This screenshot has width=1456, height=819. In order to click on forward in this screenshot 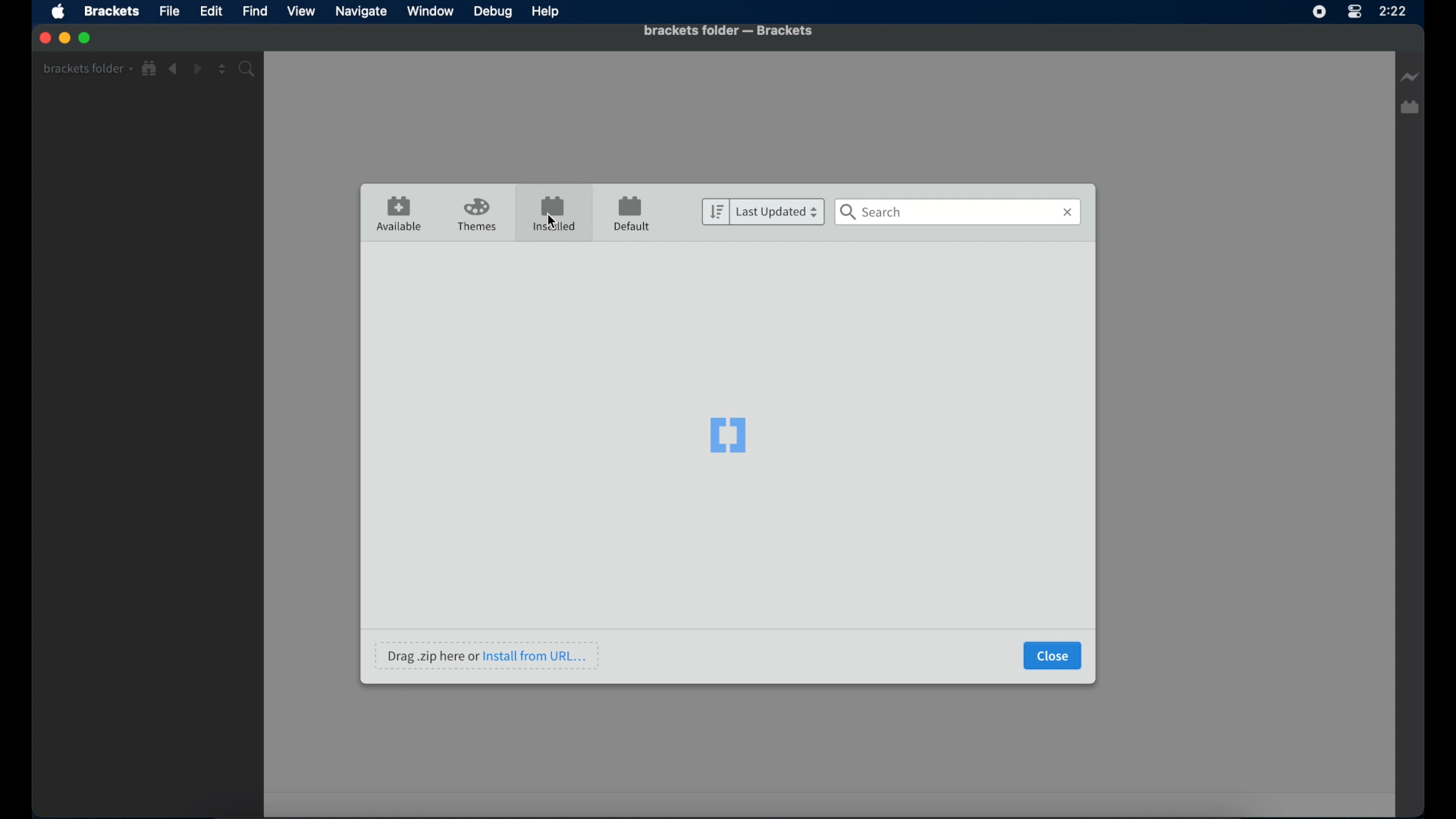, I will do `click(197, 69)`.